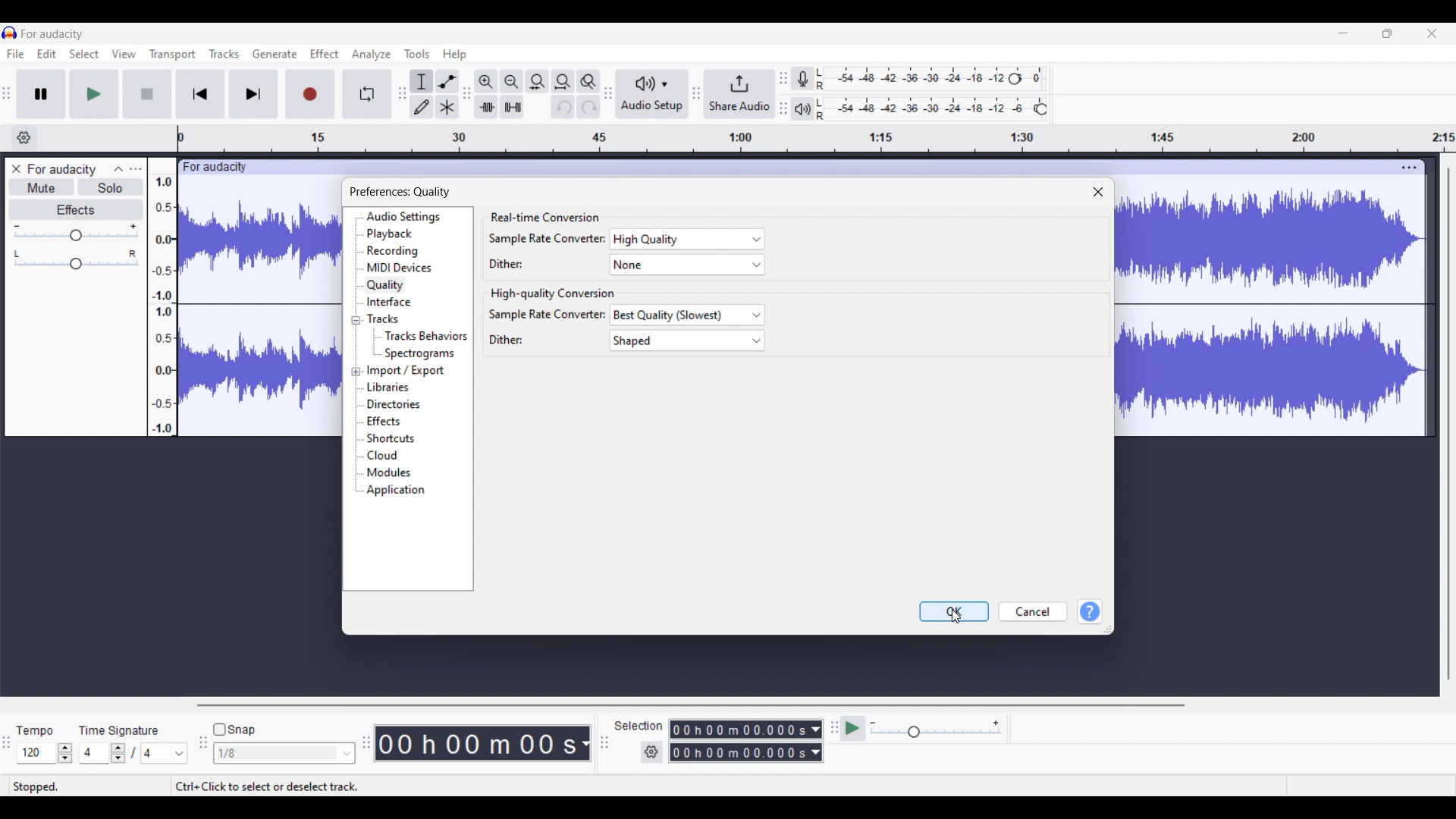 This screenshot has width=1456, height=819. What do you see at coordinates (549, 294) in the screenshot?
I see `Section title` at bounding box center [549, 294].